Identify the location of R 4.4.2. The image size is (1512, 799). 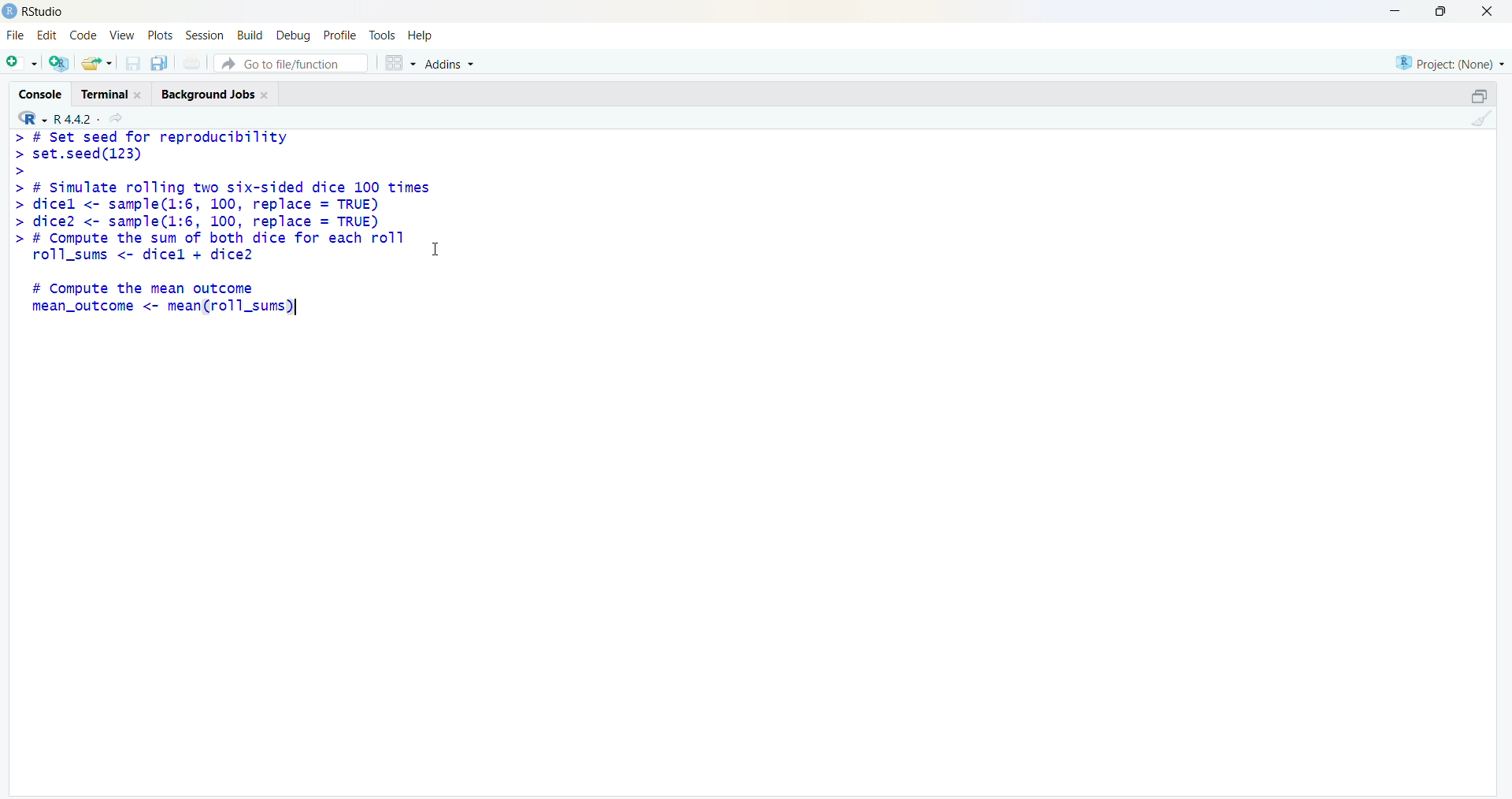
(77, 120).